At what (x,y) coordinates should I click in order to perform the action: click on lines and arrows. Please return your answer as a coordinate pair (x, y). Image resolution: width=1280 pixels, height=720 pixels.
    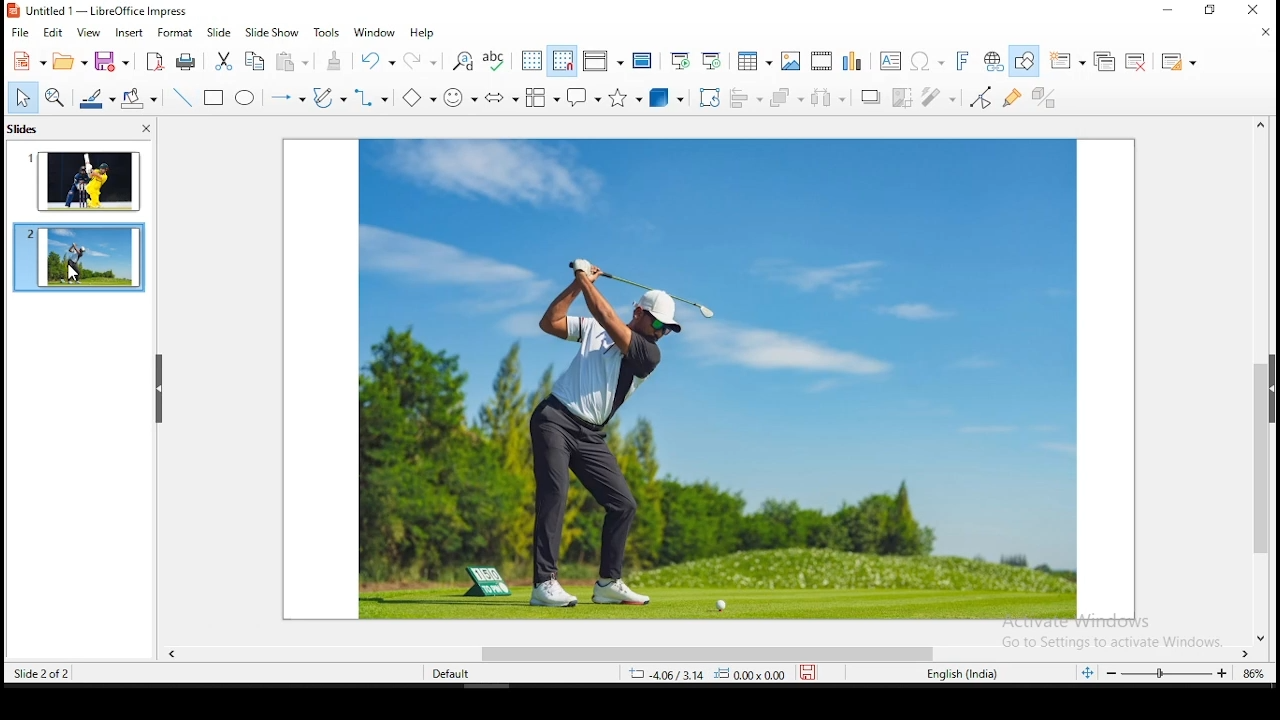
    Looking at the image, I should click on (289, 99).